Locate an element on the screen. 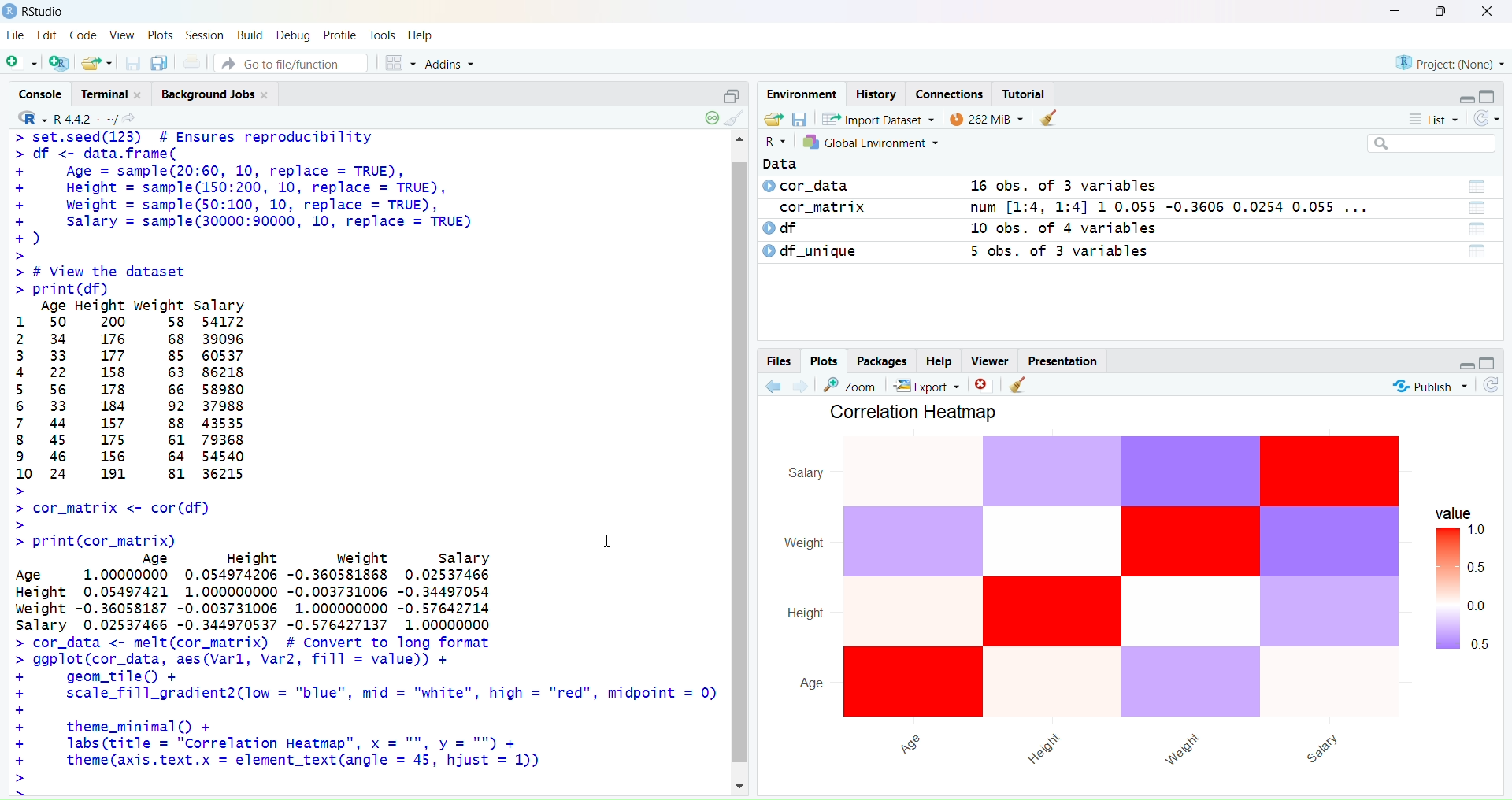 The width and height of the screenshot is (1512, 800). Addons is located at coordinates (453, 64).